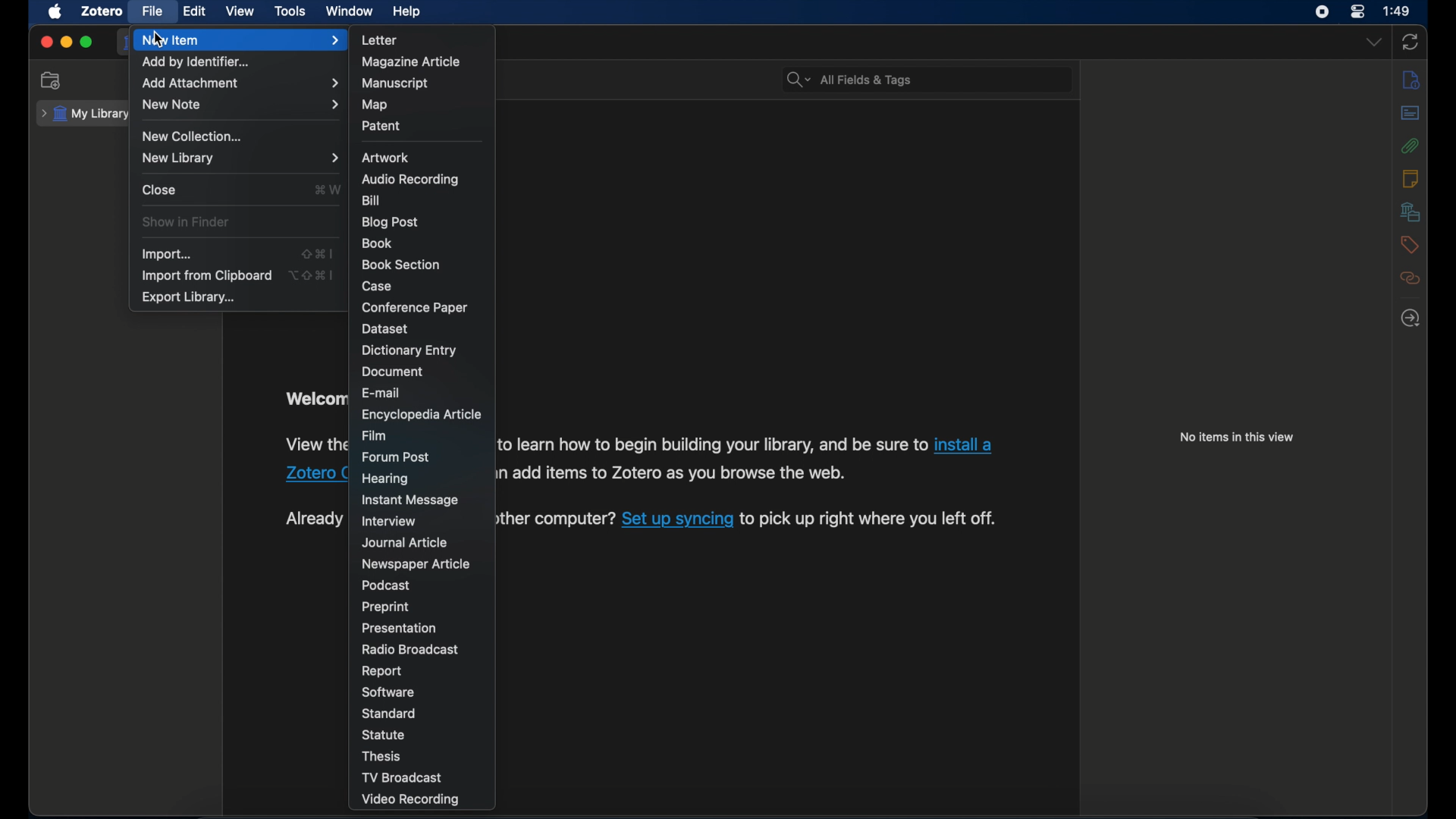 The image size is (1456, 819). Describe the element at coordinates (242, 40) in the screenshot. I see `new item` at that location.